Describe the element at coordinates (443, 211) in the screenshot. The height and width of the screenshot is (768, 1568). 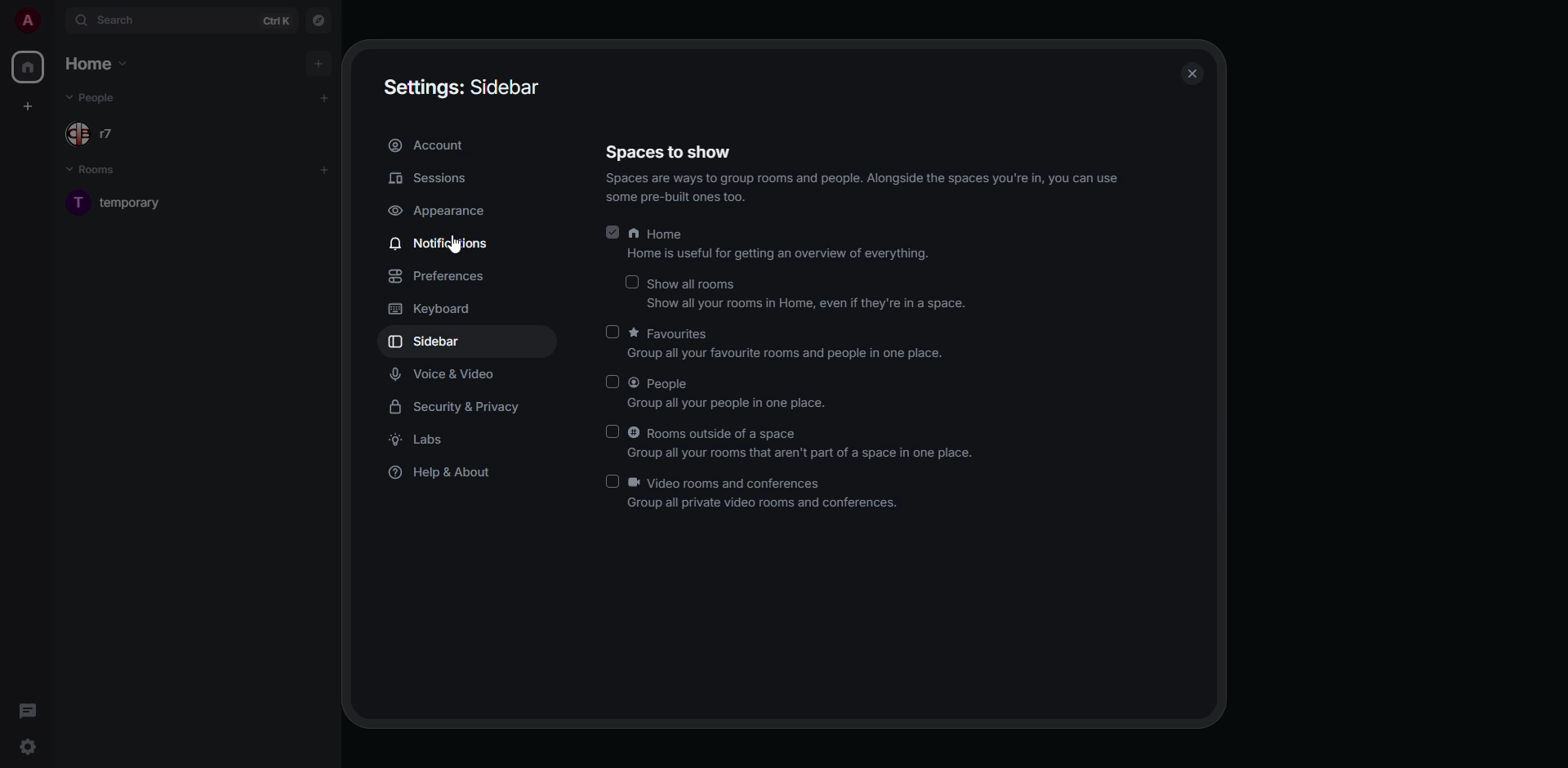
I see `appearance` at that location.